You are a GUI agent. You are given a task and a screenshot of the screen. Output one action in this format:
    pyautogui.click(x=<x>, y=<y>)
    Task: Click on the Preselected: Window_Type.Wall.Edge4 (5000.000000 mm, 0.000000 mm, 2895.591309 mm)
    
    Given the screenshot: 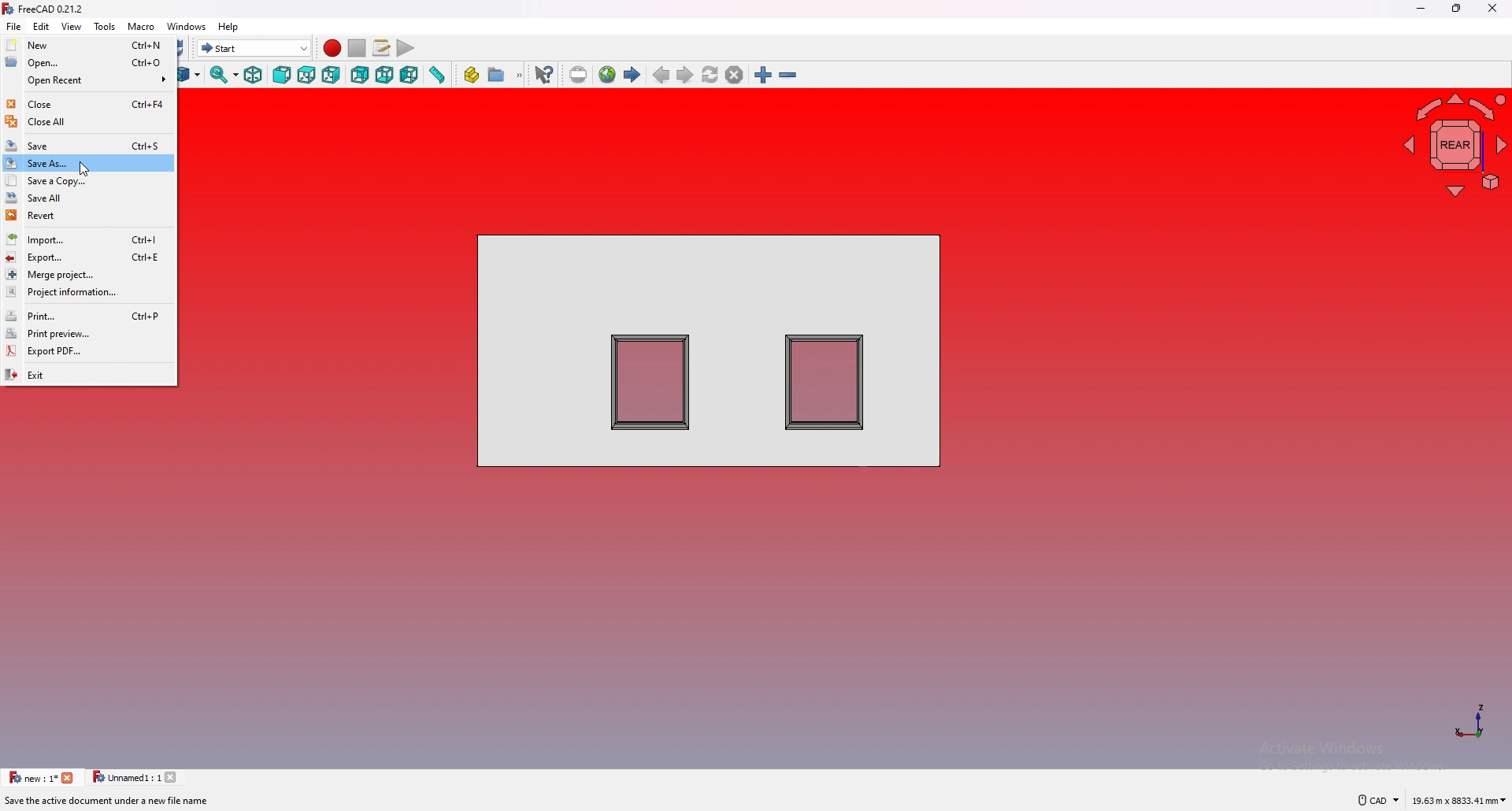 What is the action you would take?
    pyautogui.click(x=181, y=802)
    